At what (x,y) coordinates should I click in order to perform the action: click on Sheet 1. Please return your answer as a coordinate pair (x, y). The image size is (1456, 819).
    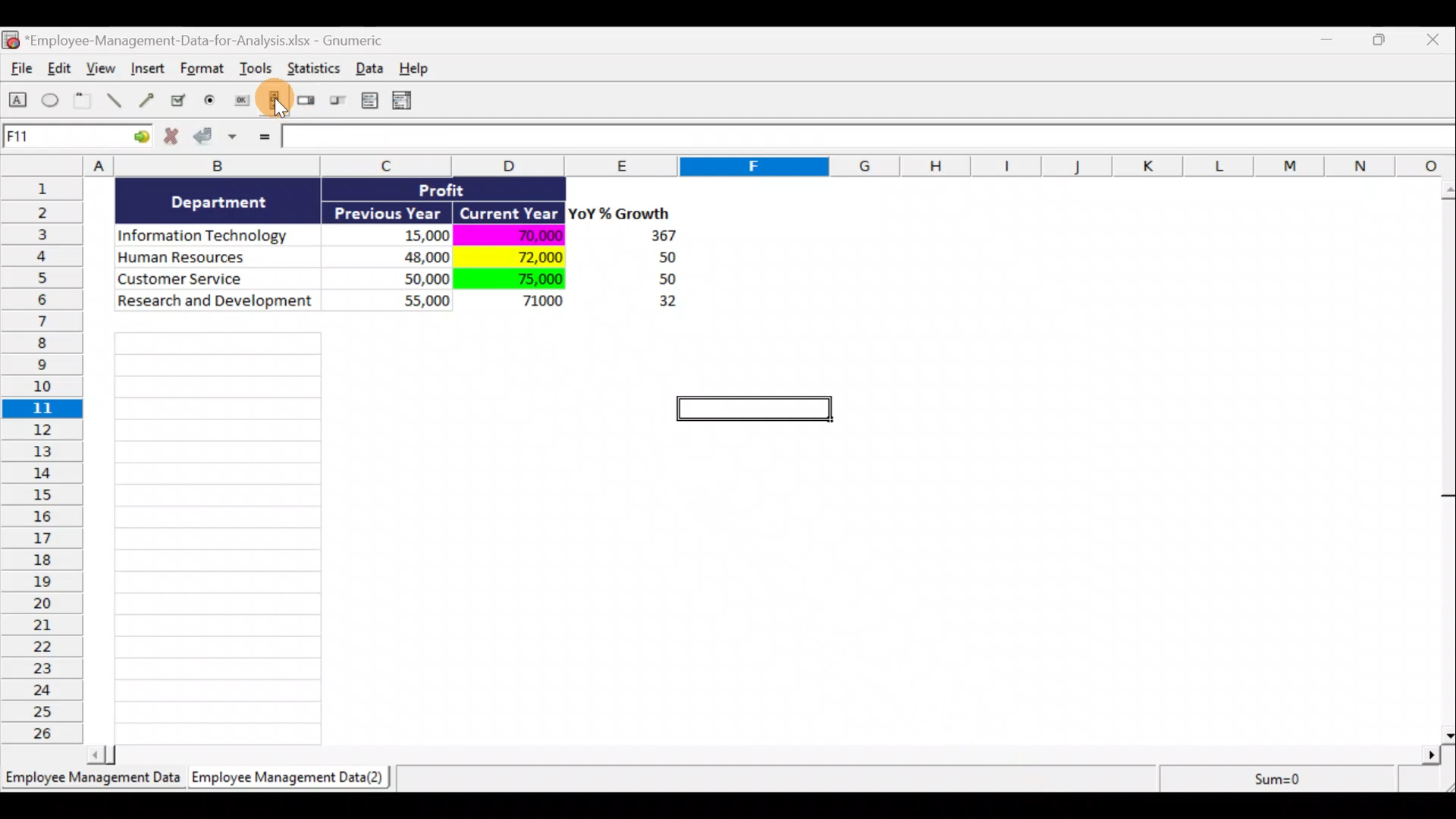
    Looking at the image, I should click on (95, 783).